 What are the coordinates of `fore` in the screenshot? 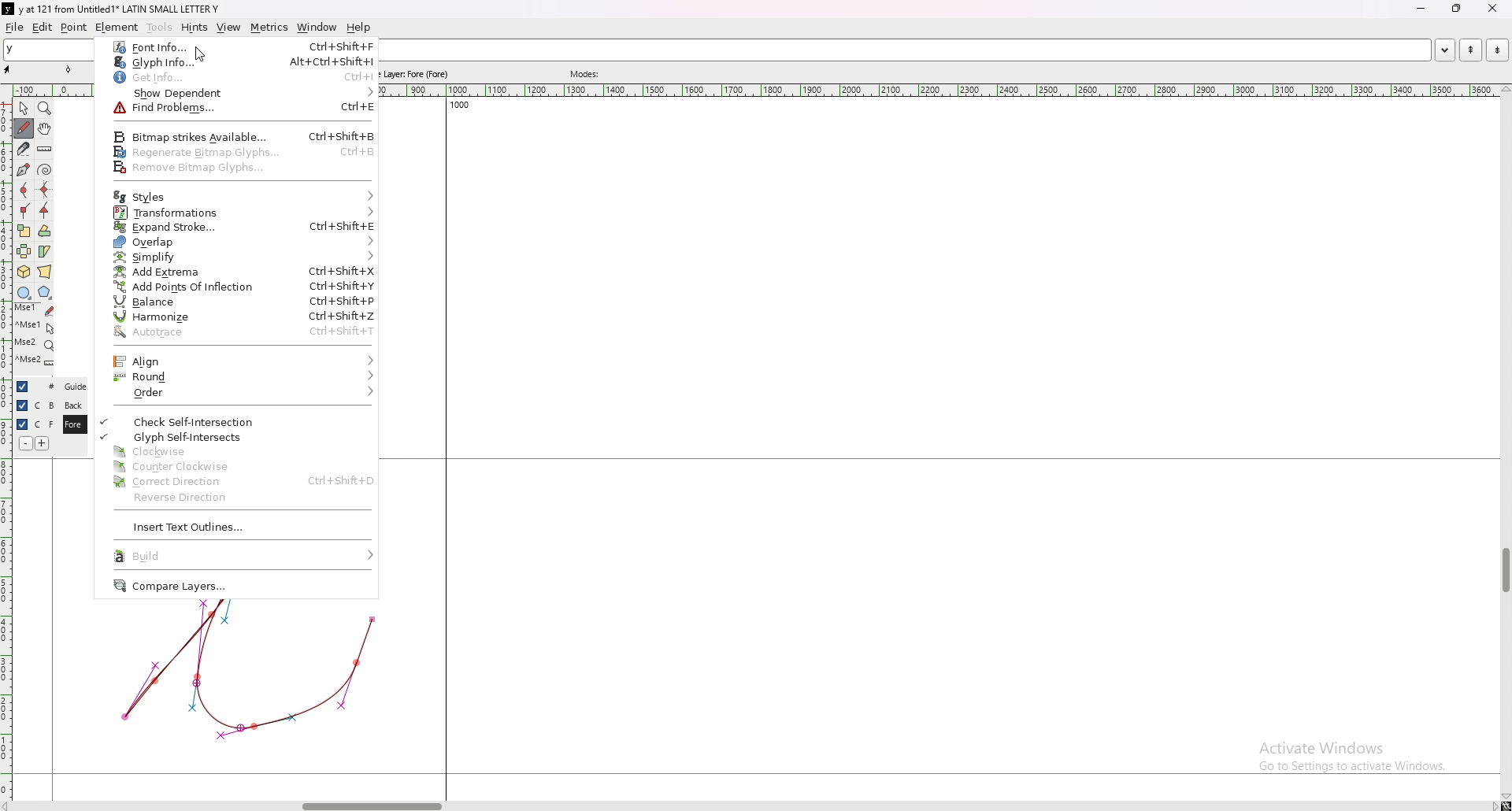 It's located at (73, 425).